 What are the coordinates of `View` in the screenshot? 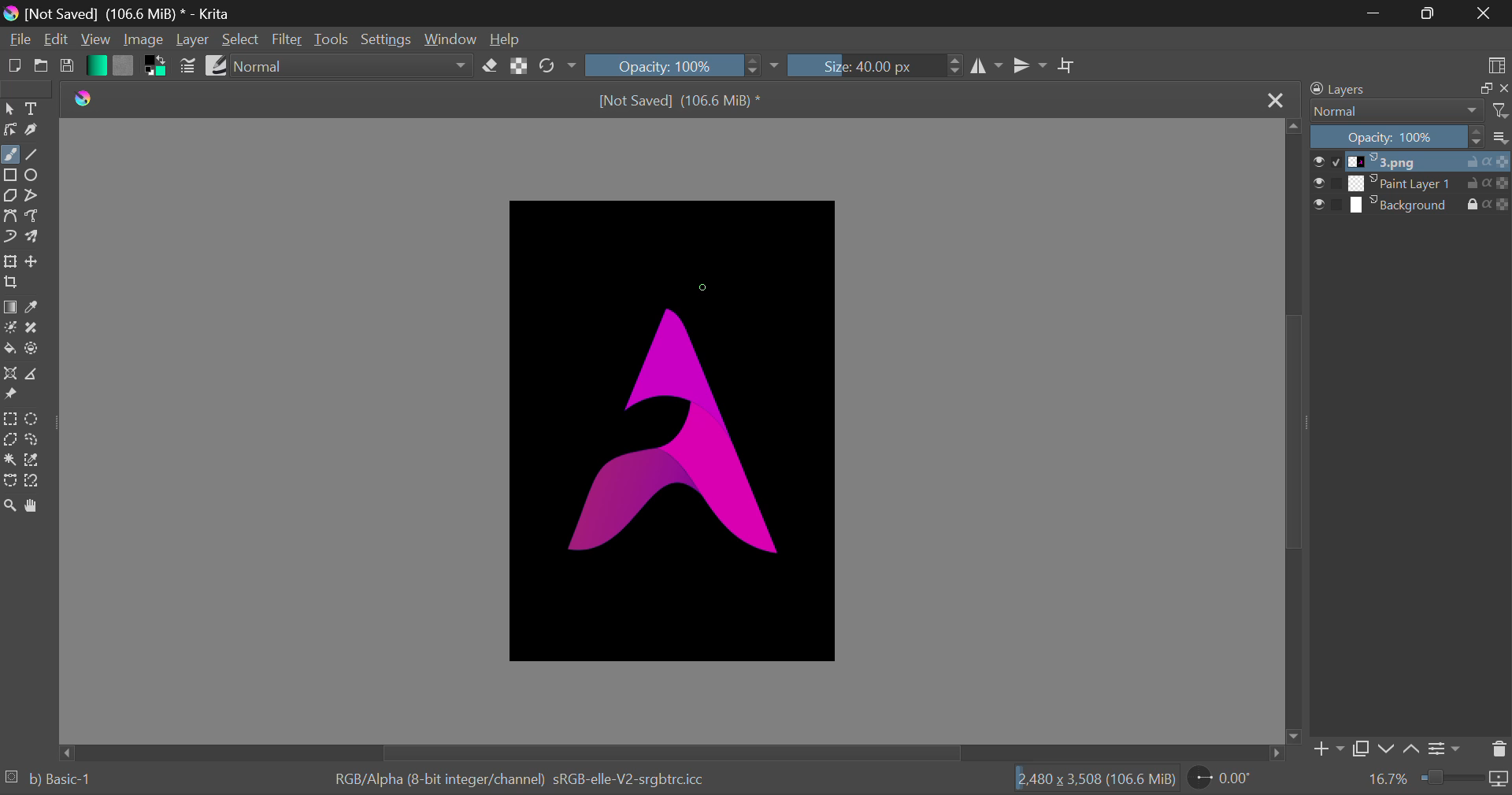 It's located at (95, 41).